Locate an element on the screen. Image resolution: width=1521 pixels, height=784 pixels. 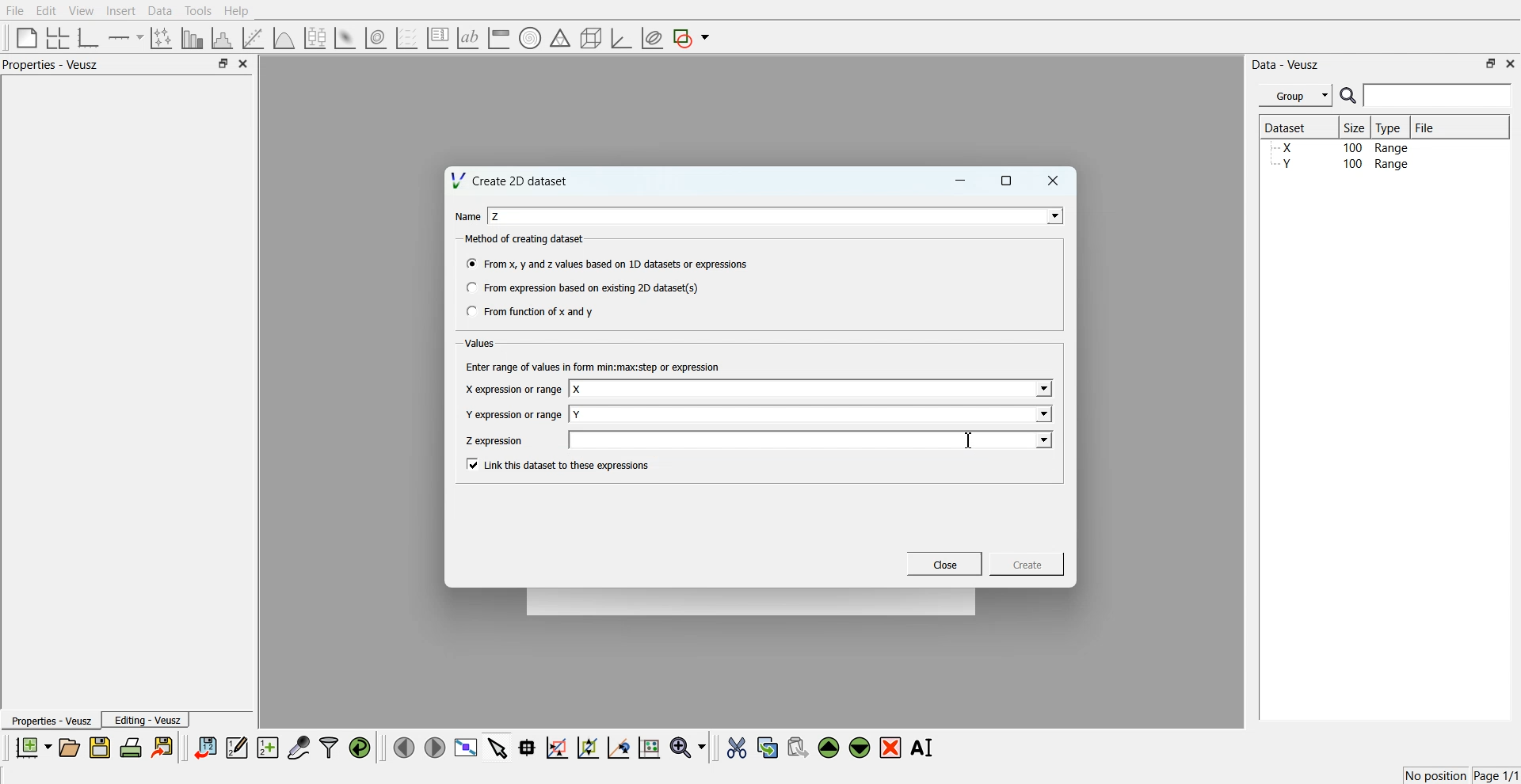
Type is located at coordinates (1390, 127).